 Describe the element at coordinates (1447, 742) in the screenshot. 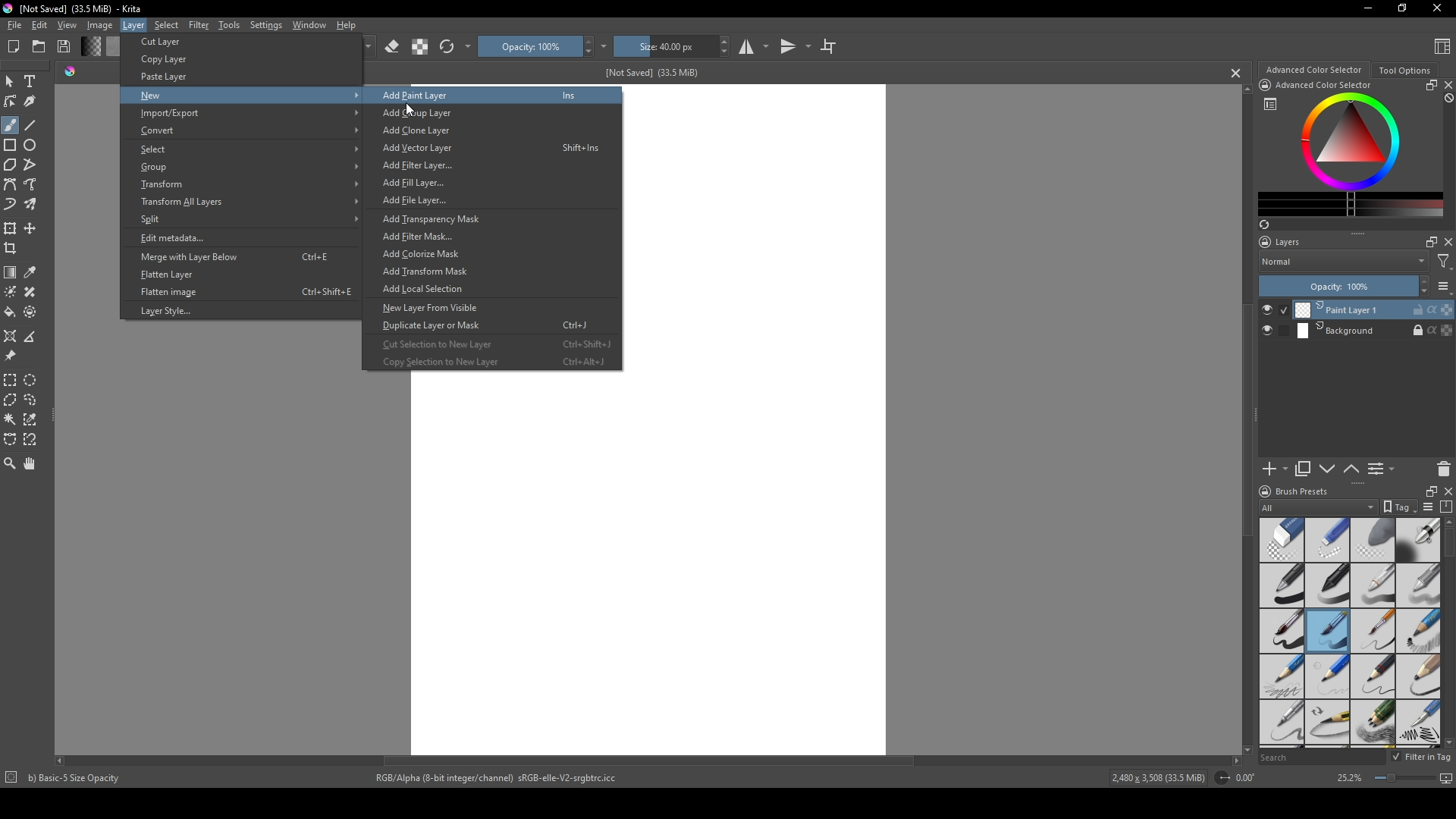

I see `scroll down` at that location.